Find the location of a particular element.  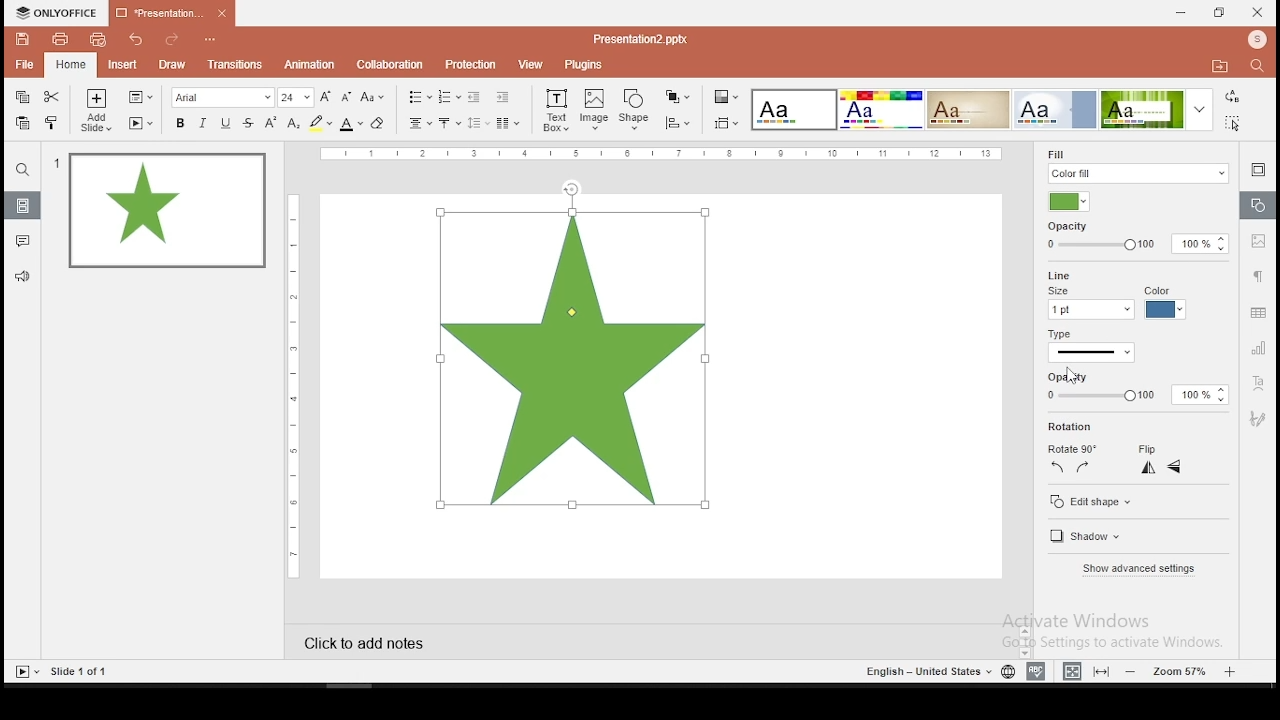

plugins is located at coordinates (584, 66).